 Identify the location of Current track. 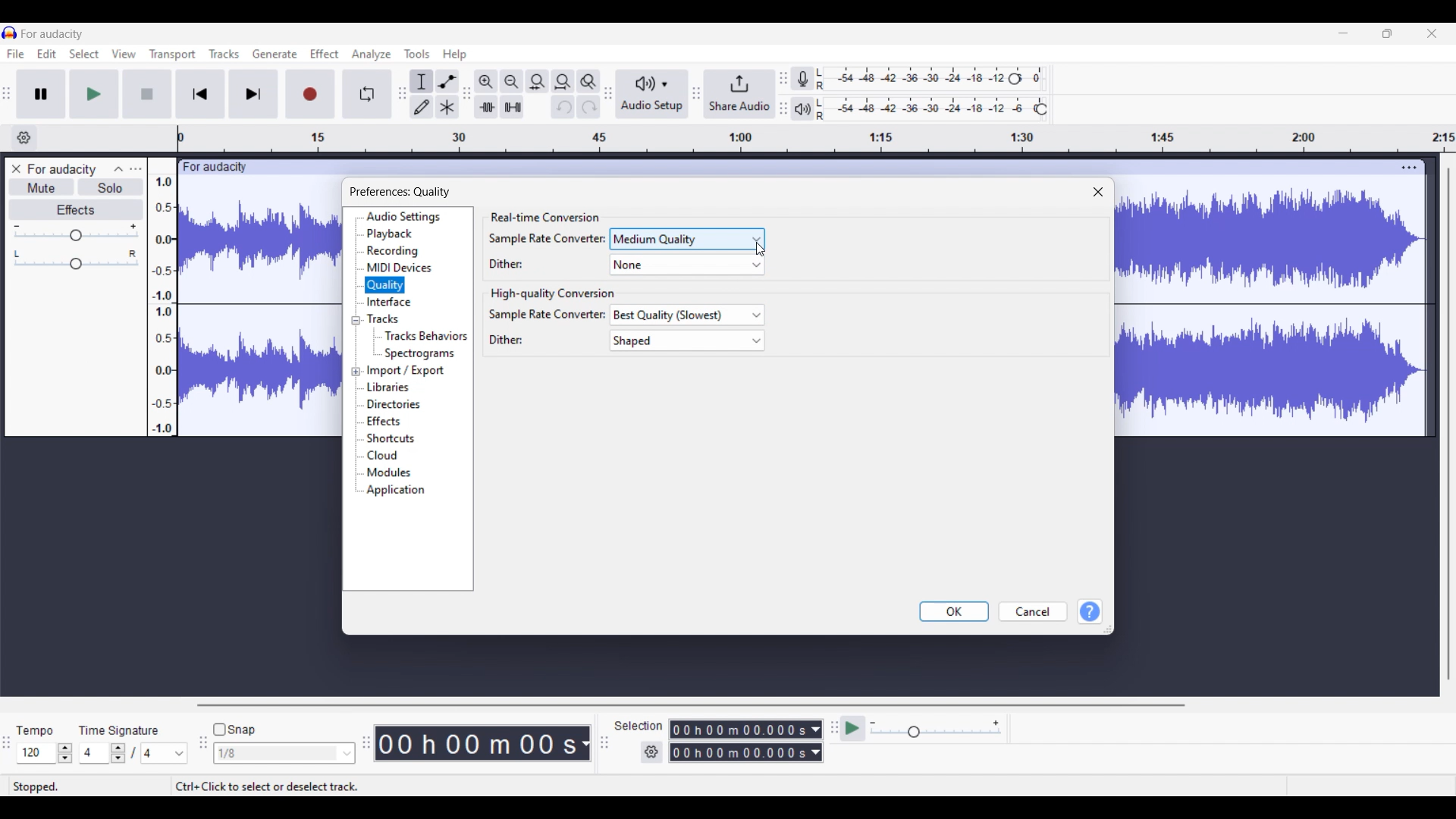
(1272, 312).